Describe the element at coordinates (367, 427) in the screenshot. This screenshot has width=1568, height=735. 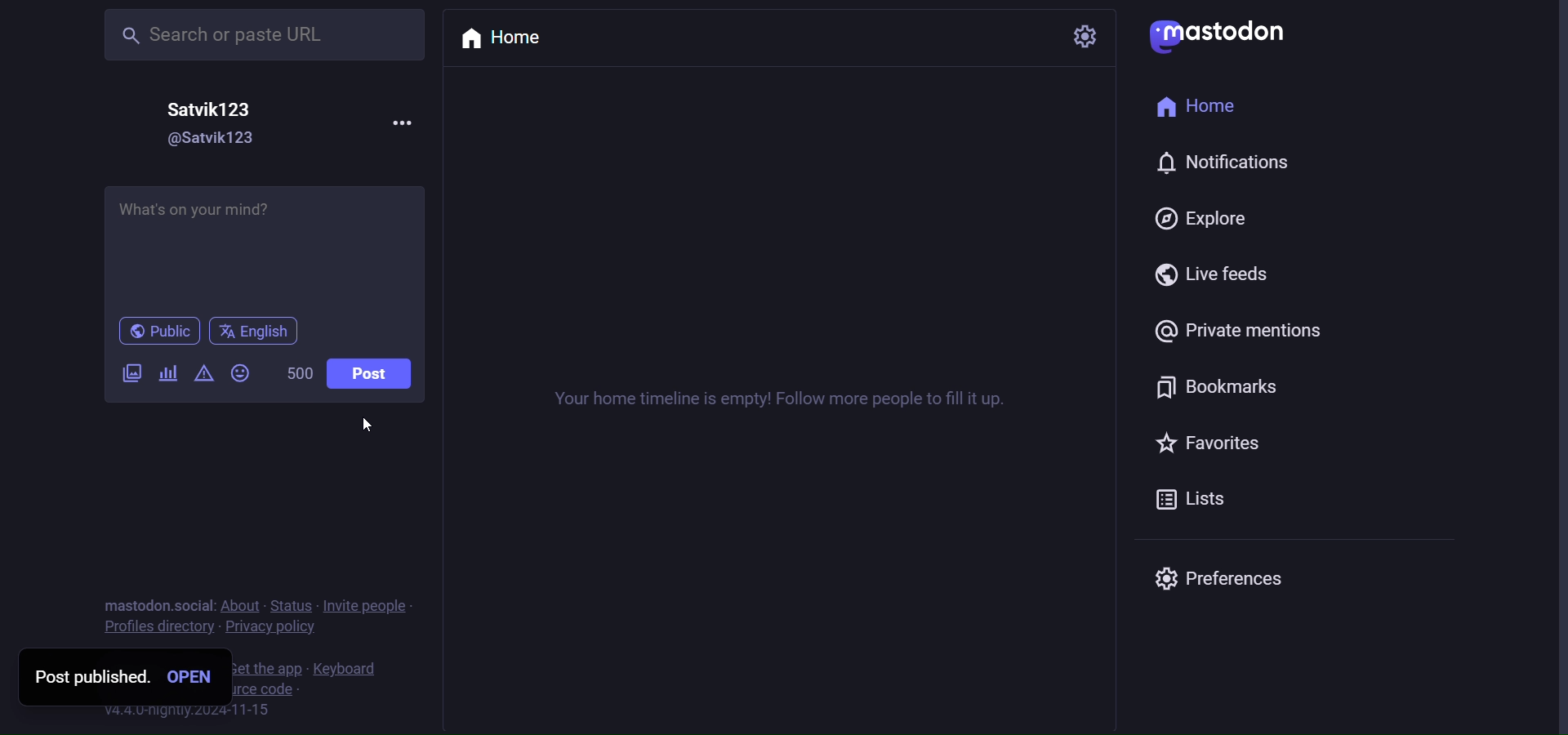
I see `cursor` at that location.